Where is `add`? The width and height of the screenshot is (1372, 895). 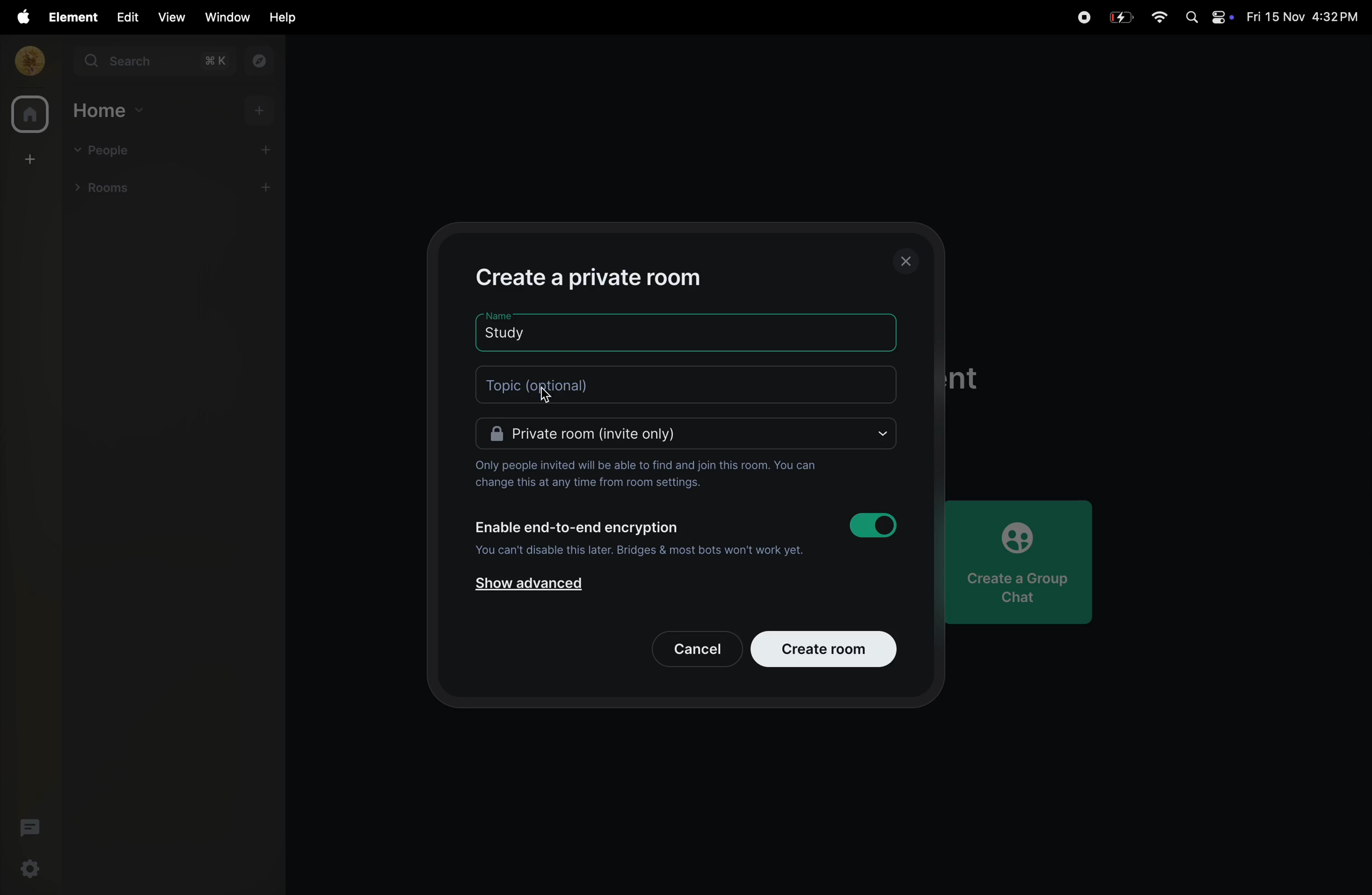 add is located at coordinates (261, 112).